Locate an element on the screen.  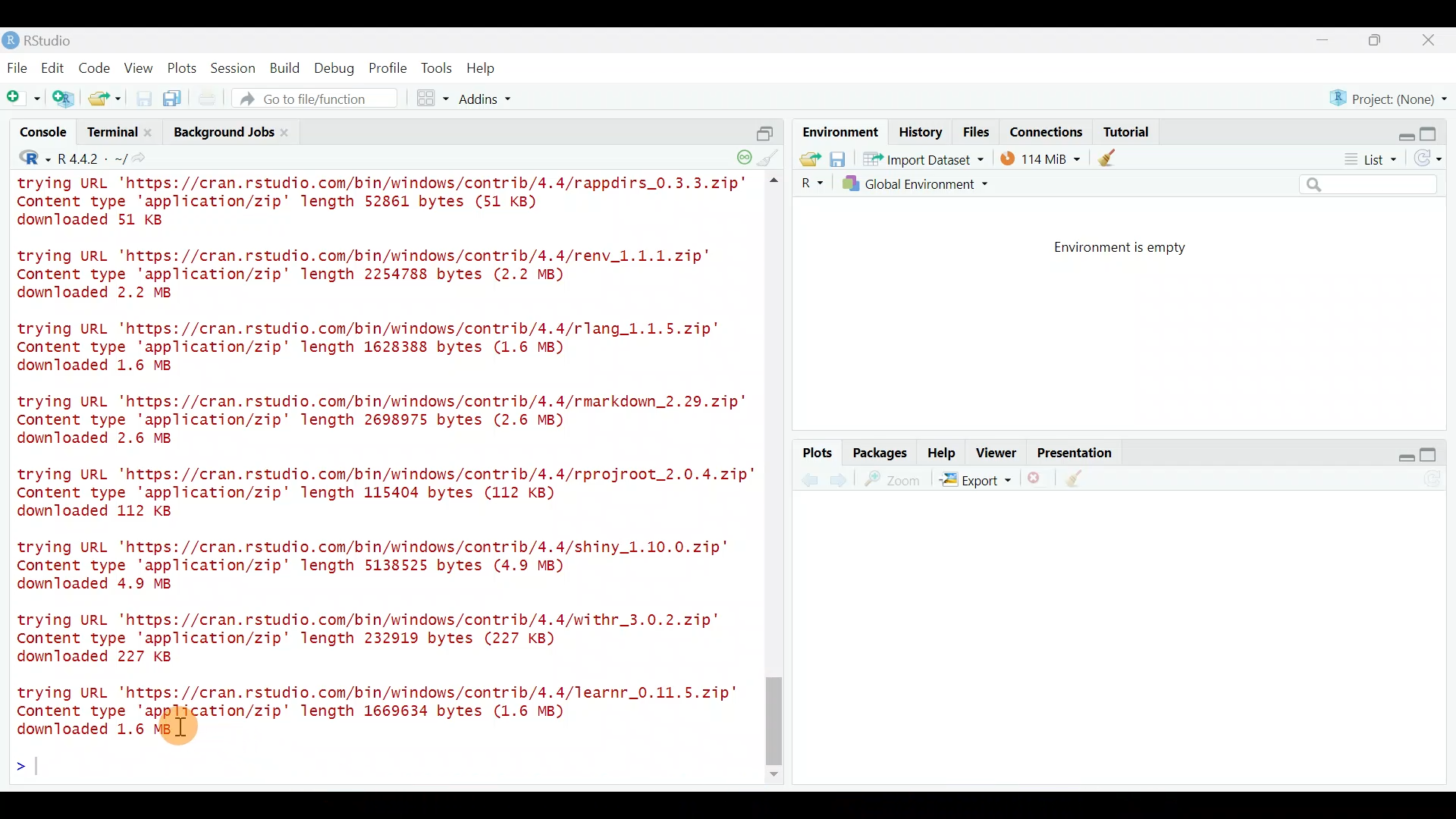
Save current document is located at coordinates (144, 99).